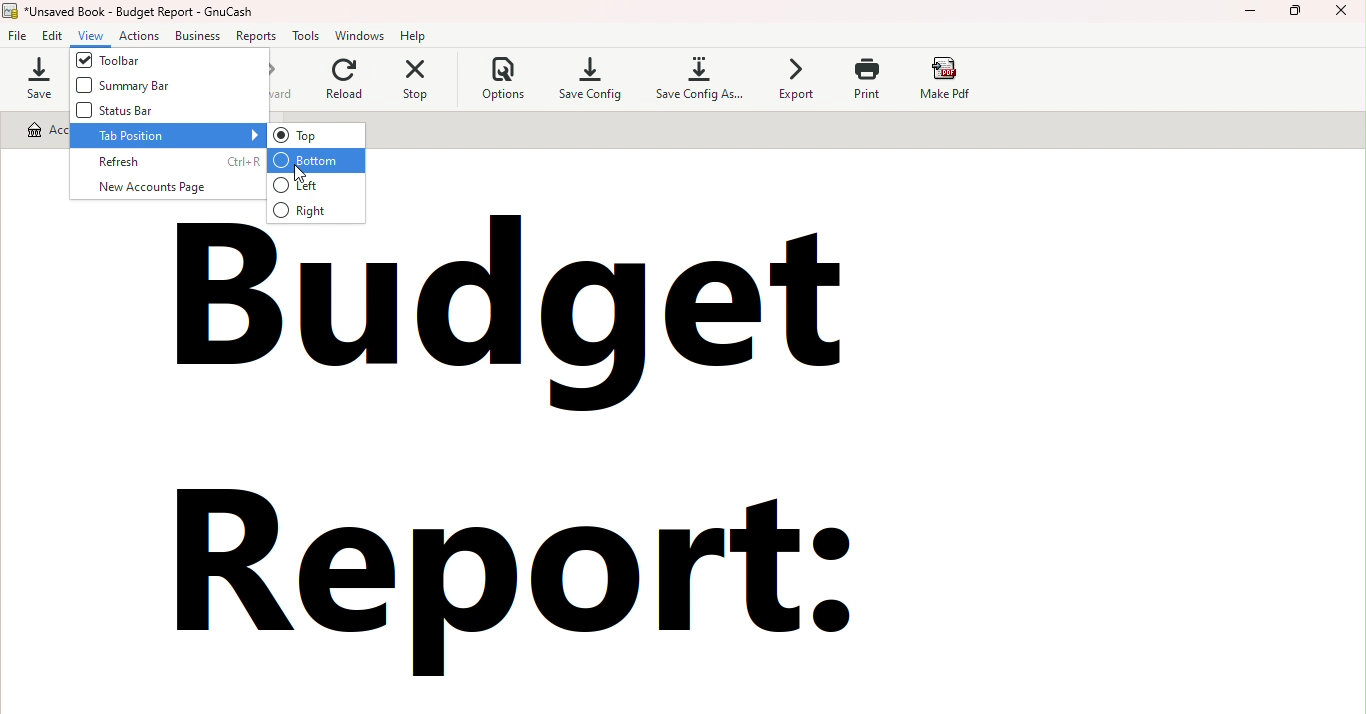  Describe the element at coordinates (308, 175) in the screenshot. I see `Cursor` at that location.